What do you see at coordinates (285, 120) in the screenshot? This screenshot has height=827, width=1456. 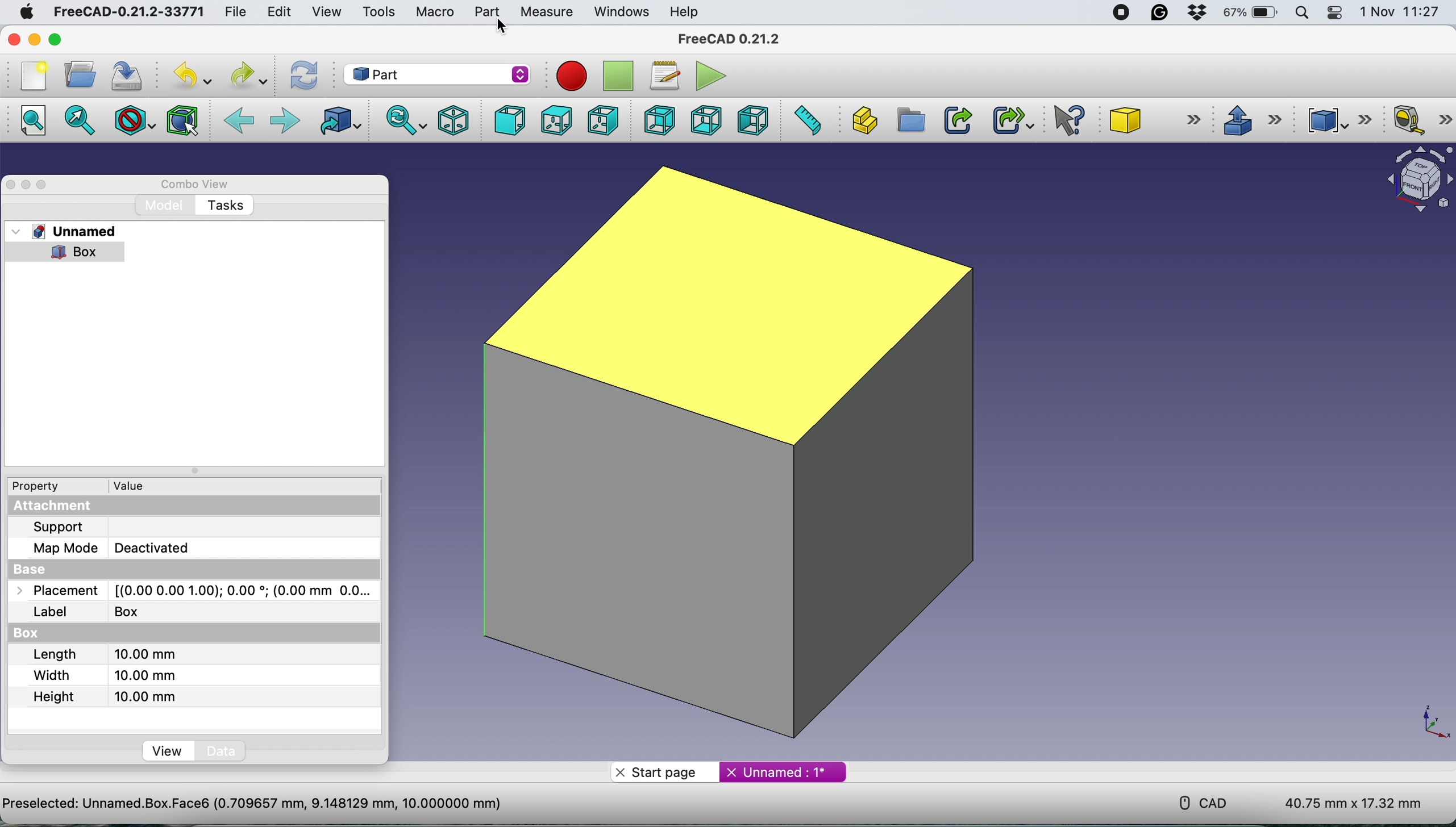 I see `forward` at bounding box center [285, 120].